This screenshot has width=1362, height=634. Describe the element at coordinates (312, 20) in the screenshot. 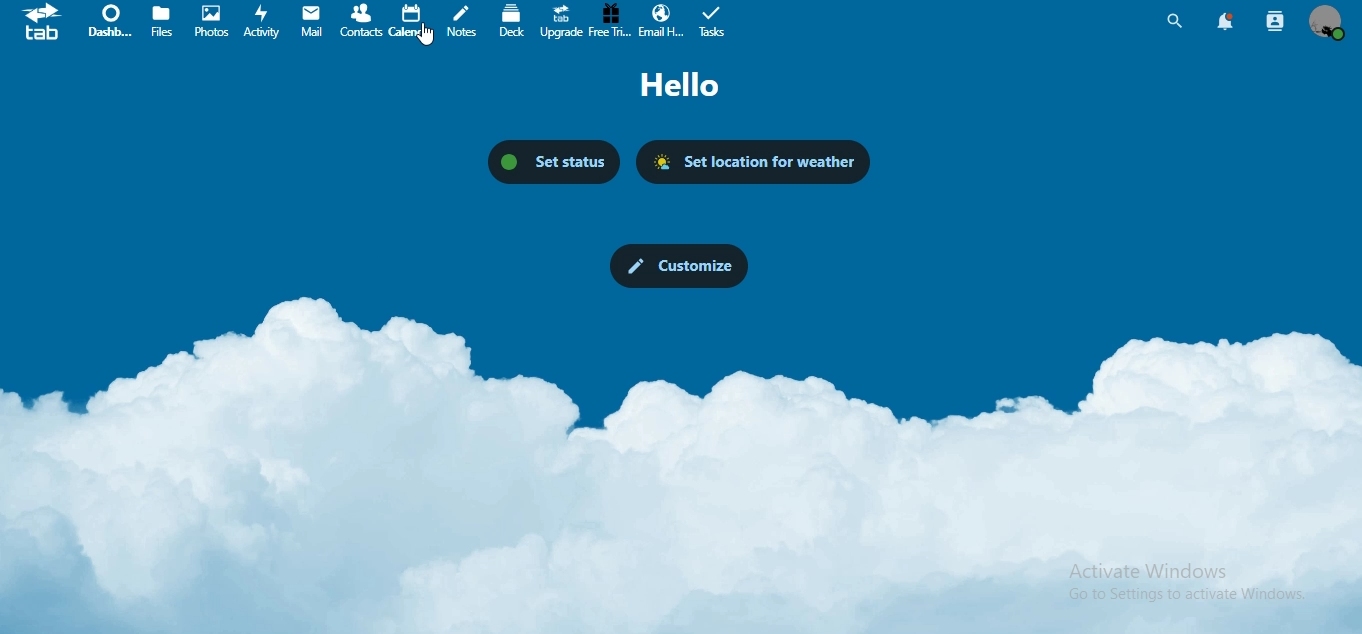

I see `mail` at that location.